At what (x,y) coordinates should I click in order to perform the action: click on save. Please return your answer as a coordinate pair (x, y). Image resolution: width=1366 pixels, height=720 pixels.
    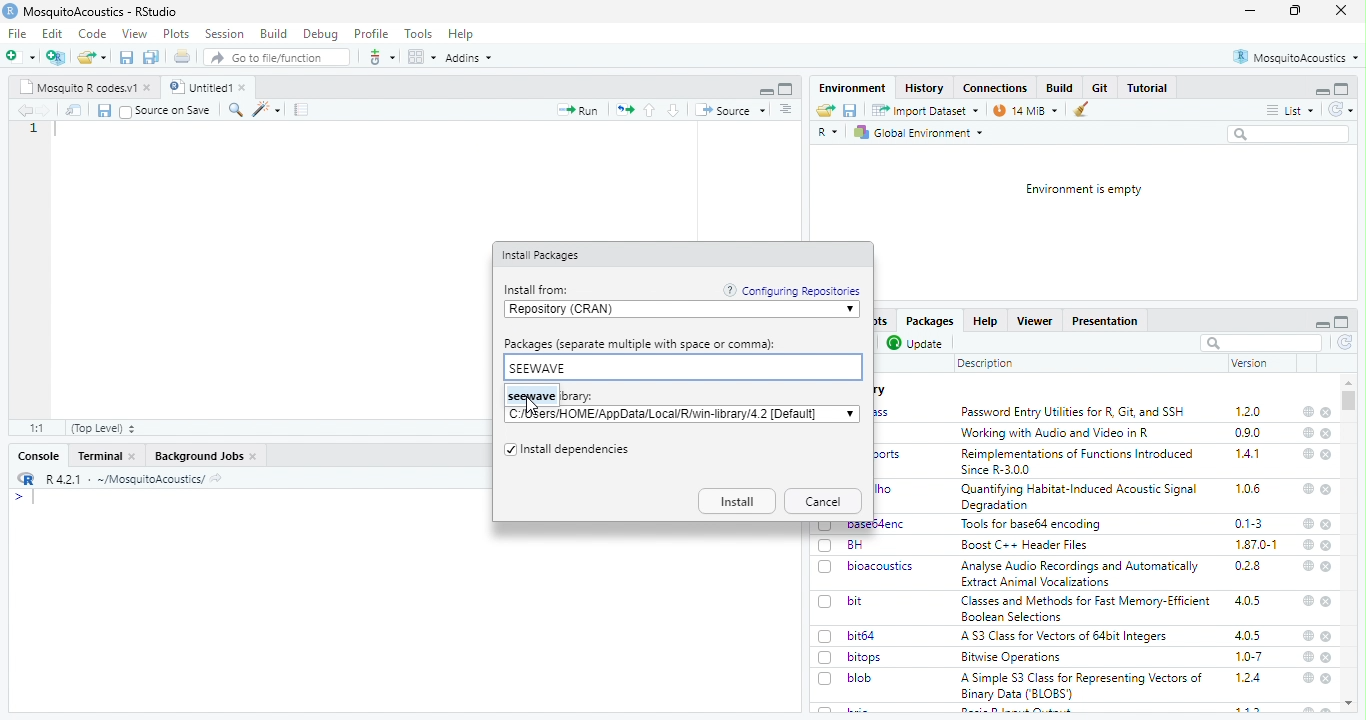
    Looking at the image, I should click on (127, 58).